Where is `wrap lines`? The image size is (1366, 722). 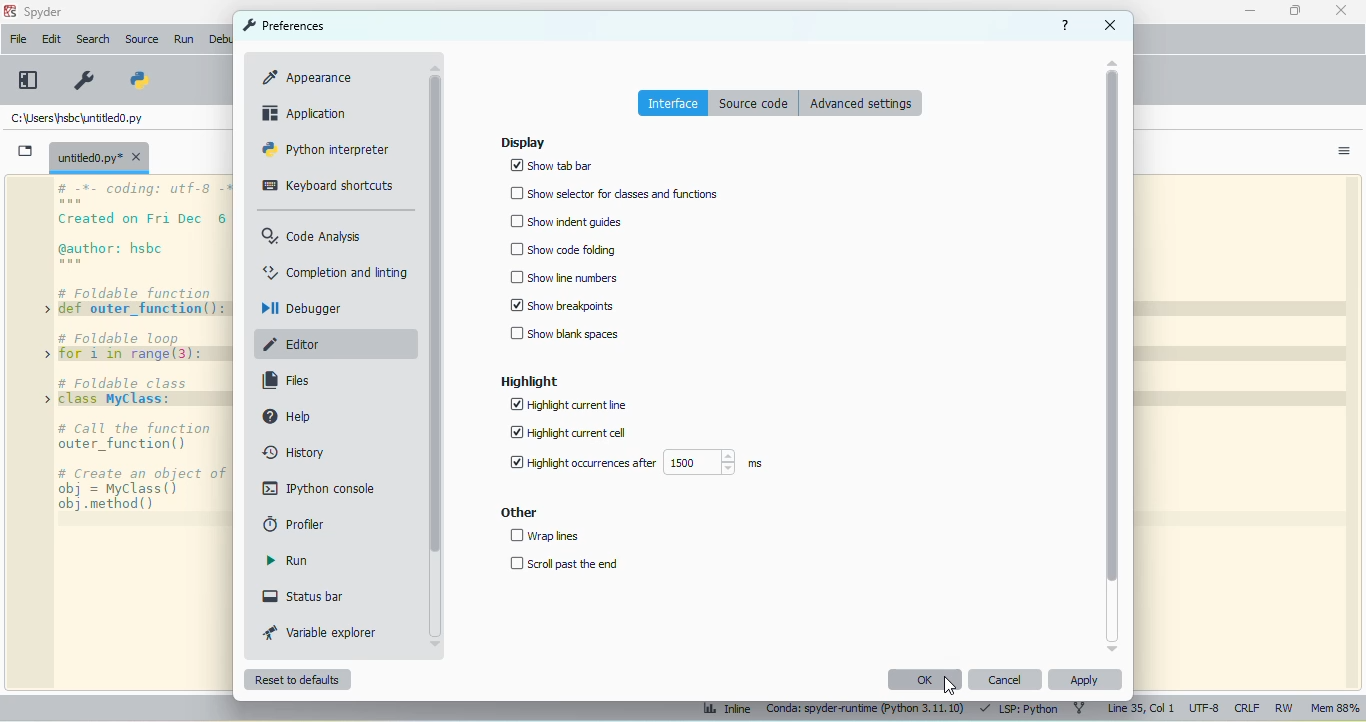
wrap lines is located at coordinates (546, 536).